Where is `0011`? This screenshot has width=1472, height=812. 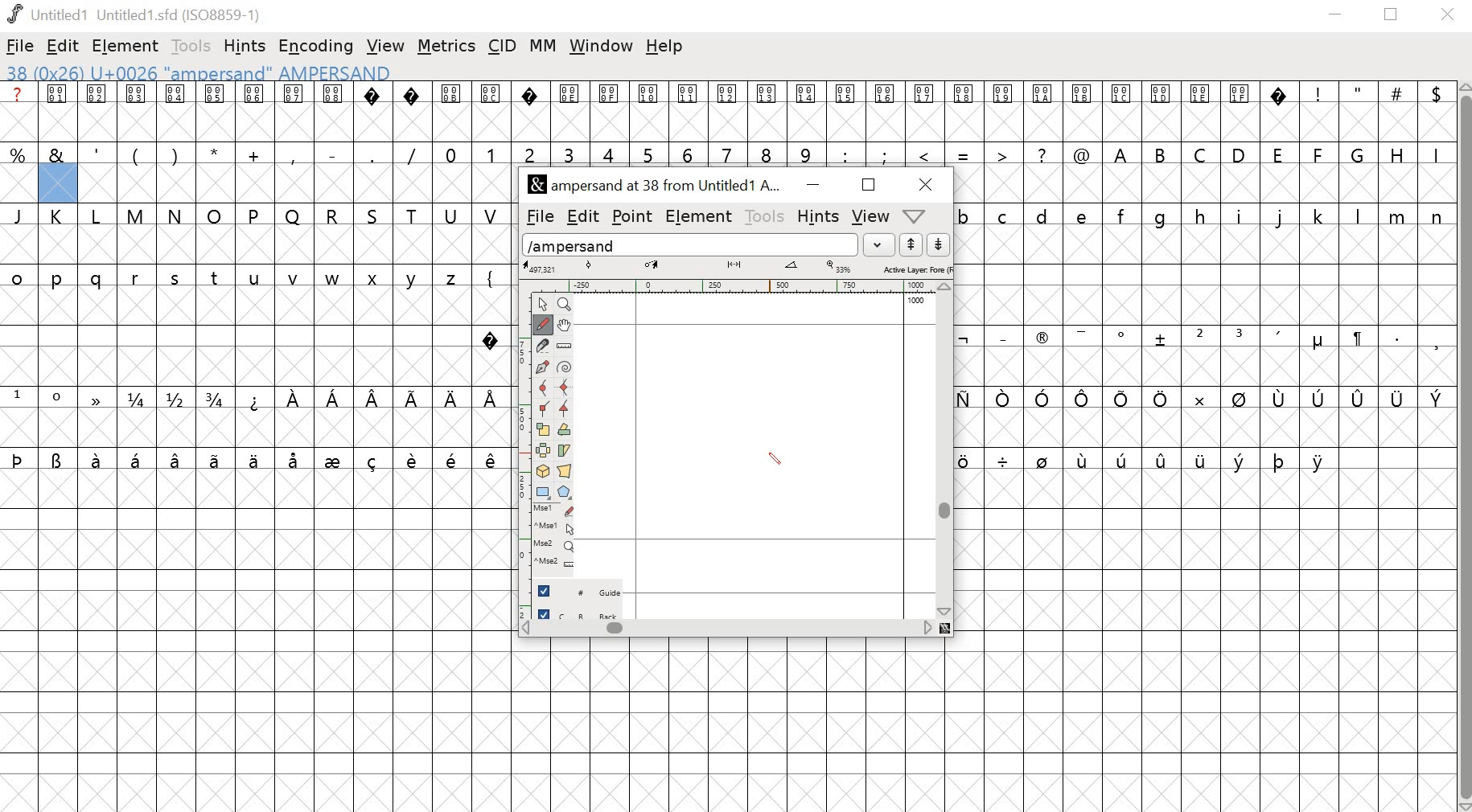 0011 is located at coordinates (692, 111).